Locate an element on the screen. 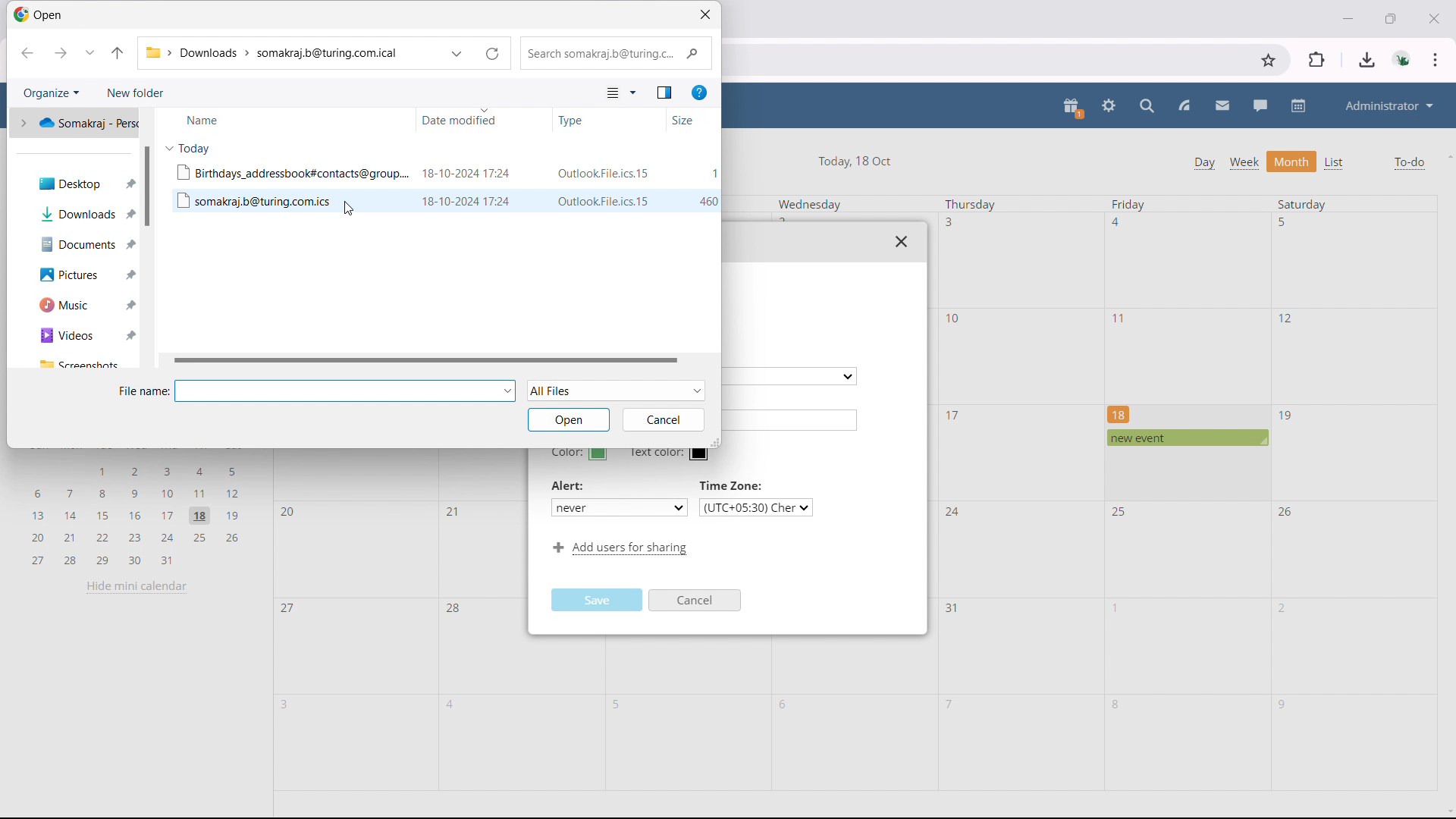  Outlook.File.ics.15 is located at coordinates (602, 173).